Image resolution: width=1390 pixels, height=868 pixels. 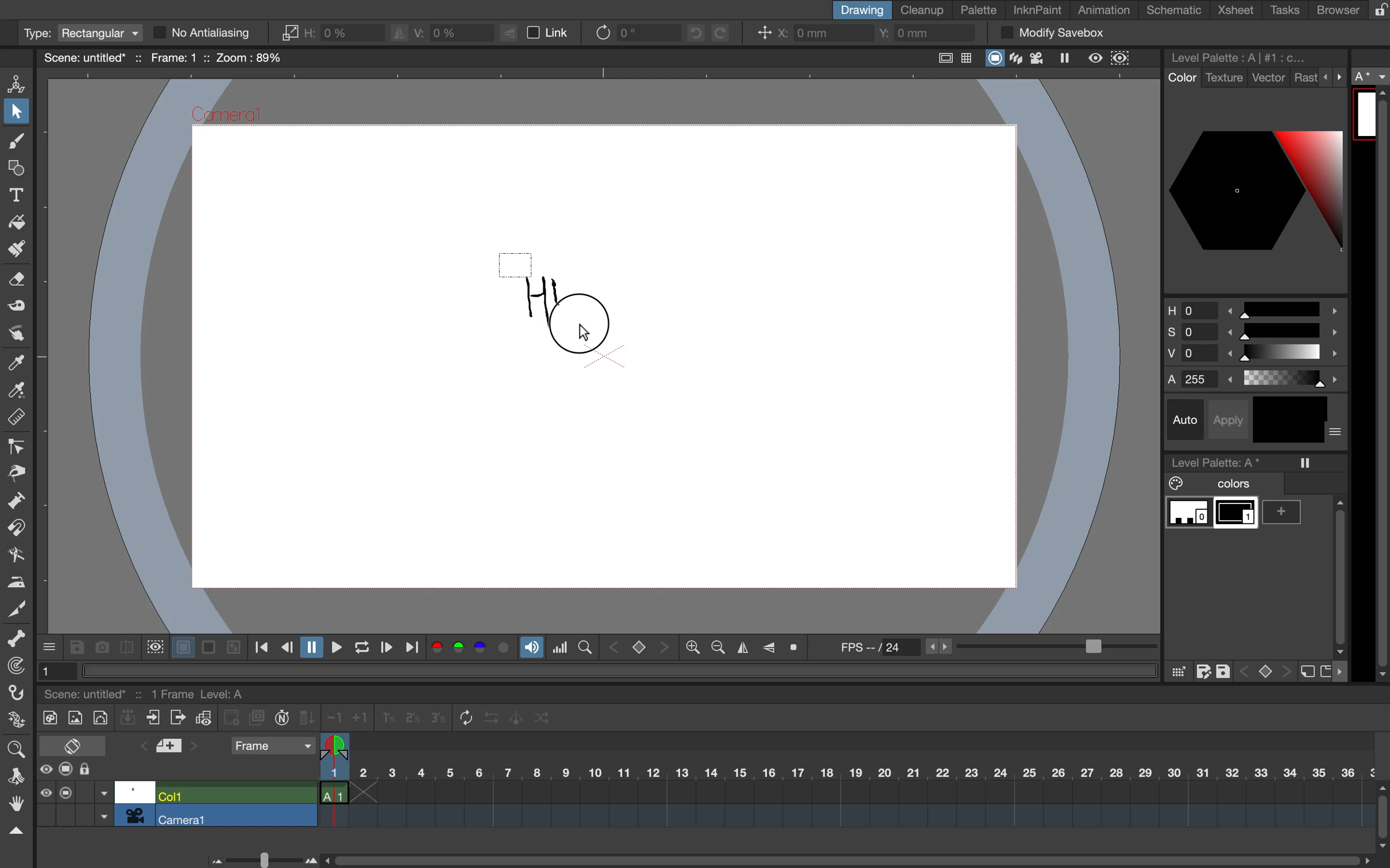 I want to click on browser, so click(x=1330, y=9).